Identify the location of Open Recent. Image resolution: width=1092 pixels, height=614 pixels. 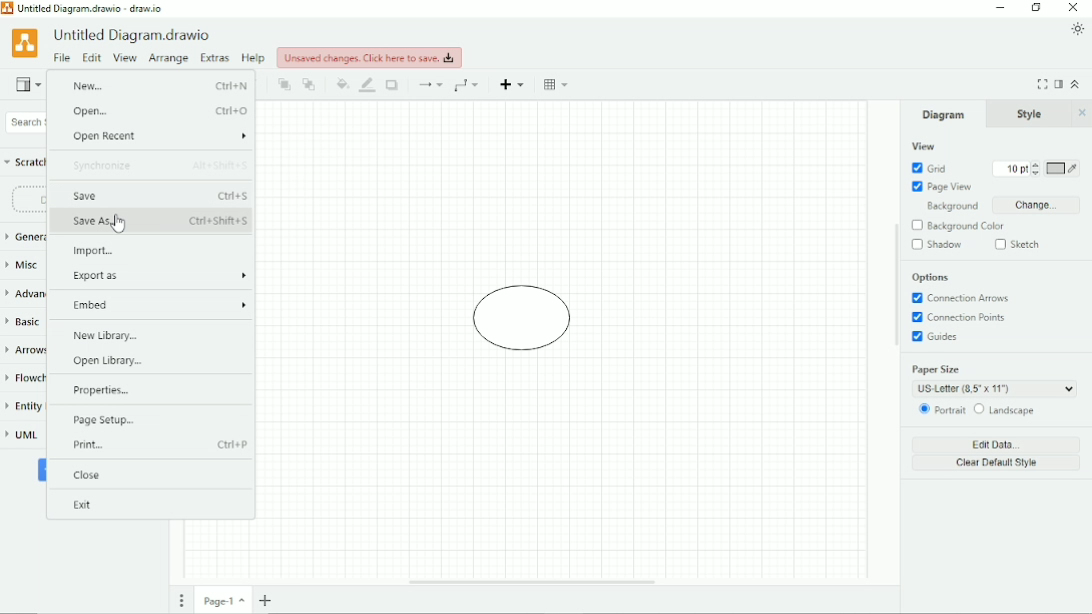
(162, 136).